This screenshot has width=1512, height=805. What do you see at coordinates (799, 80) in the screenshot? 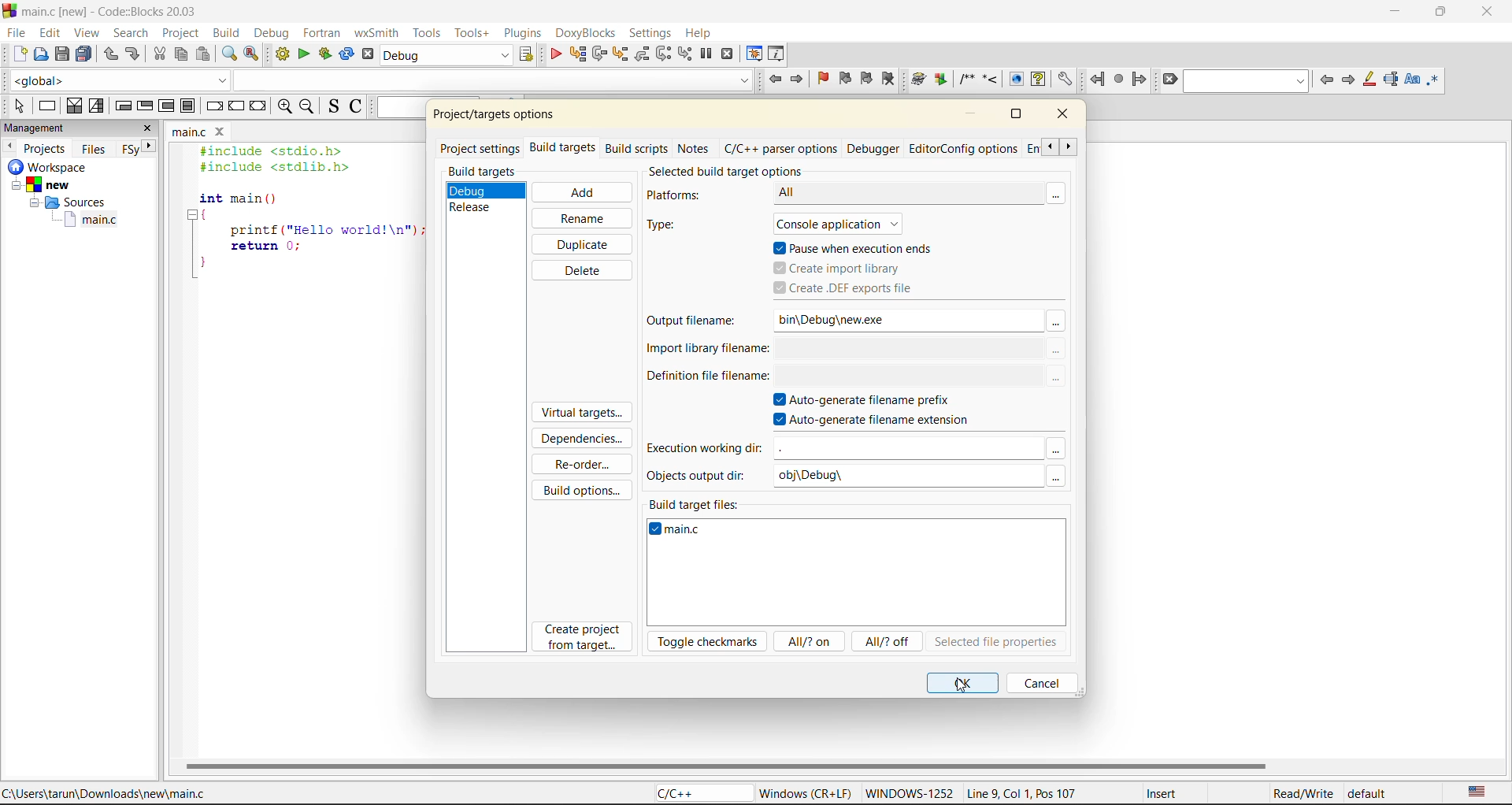
I see `jump forward` at bounding box center [799, 80].